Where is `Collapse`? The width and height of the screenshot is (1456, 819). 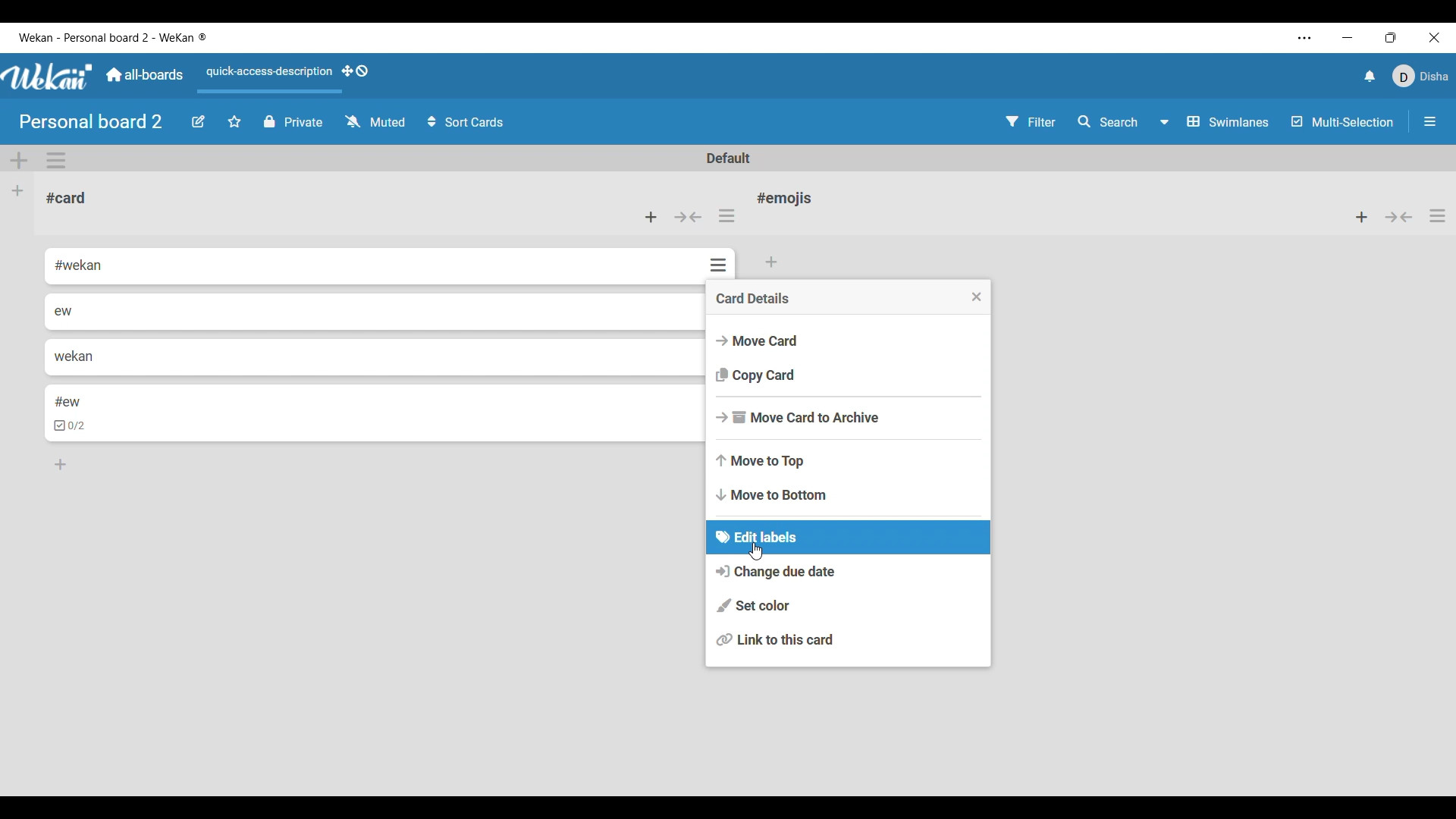 Collapse is located at coordinates (689, 217).